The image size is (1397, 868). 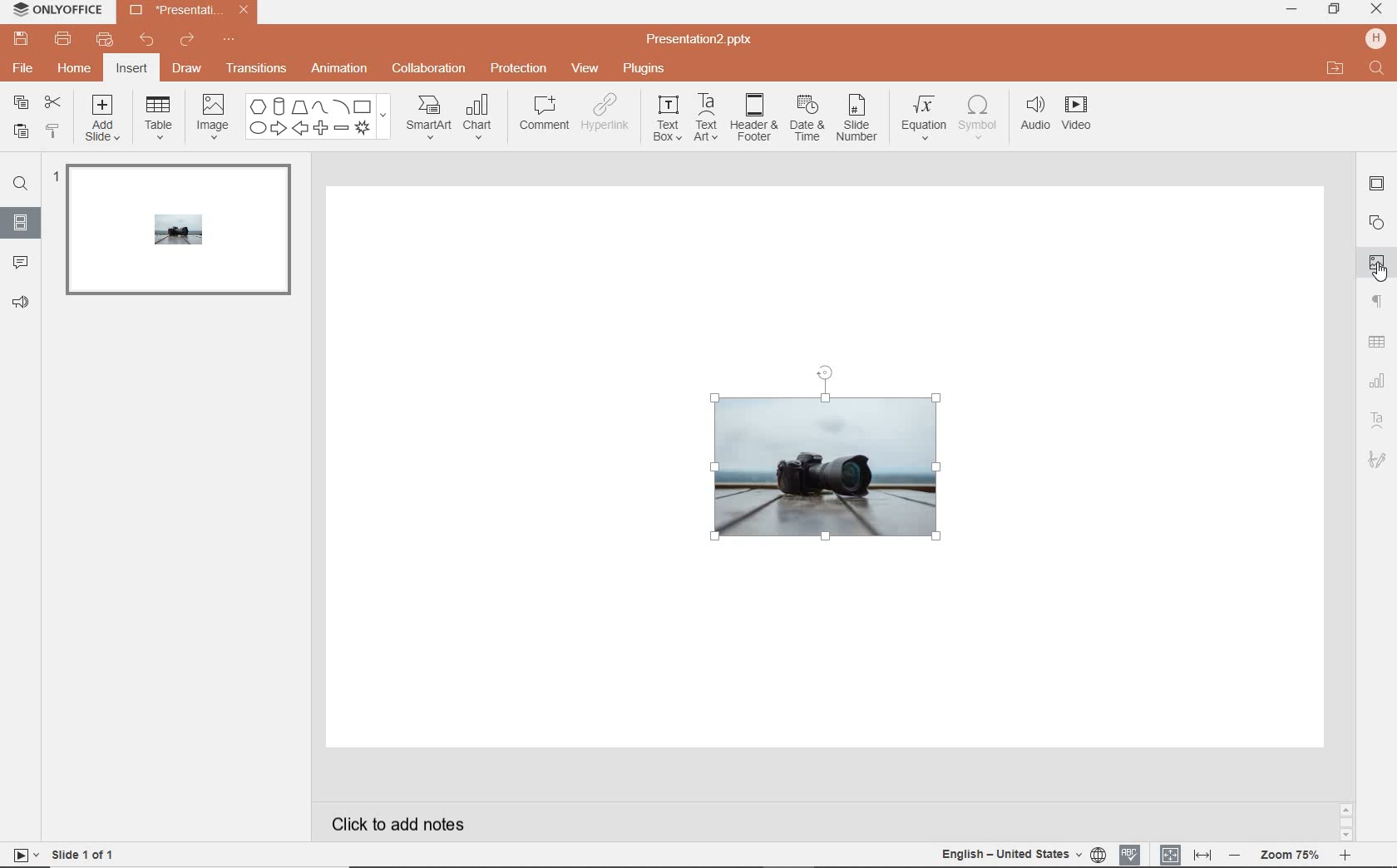 I want to click on collaboration, so click(x=430, y=70).